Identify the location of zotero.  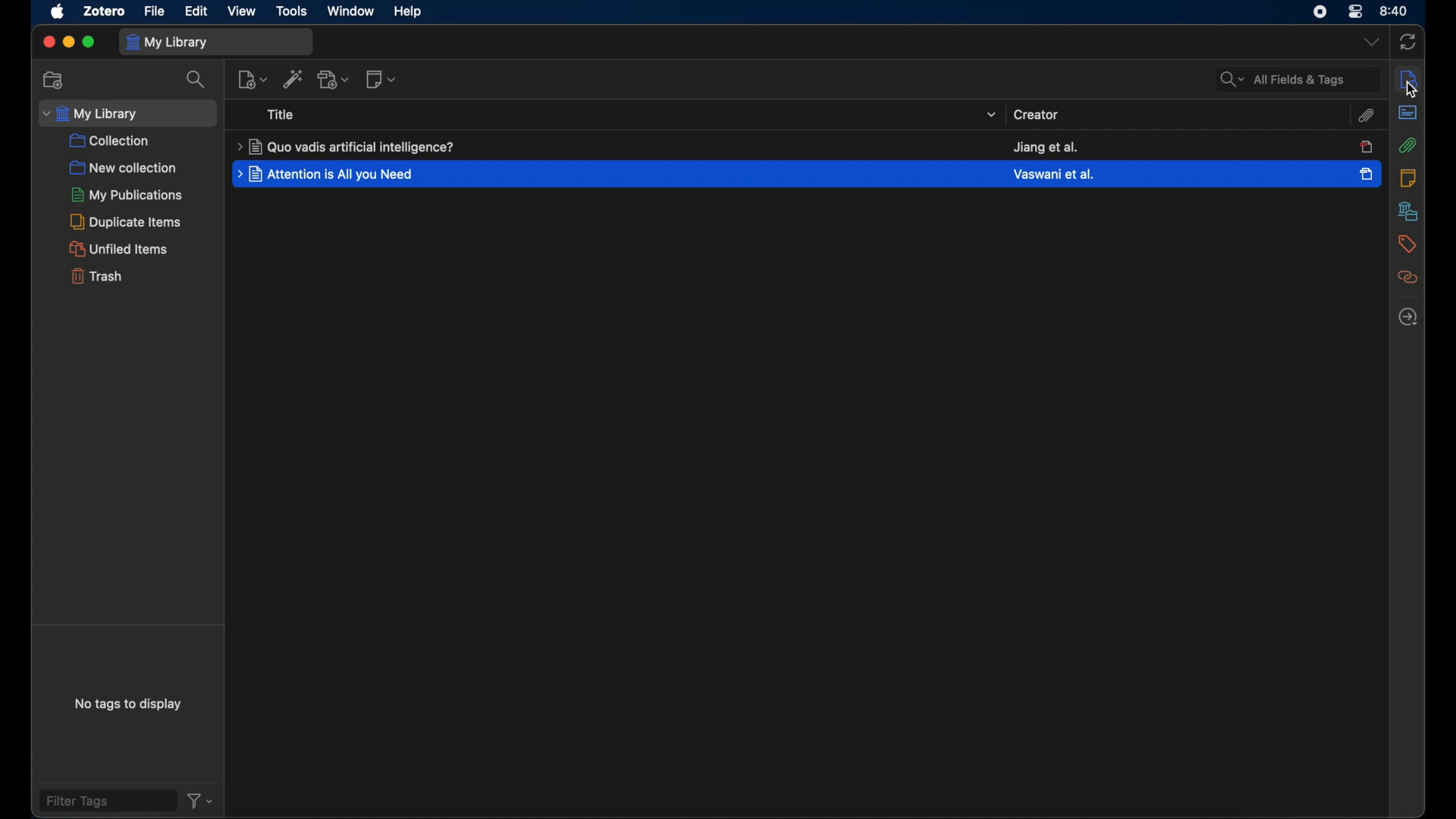
(105, 12).